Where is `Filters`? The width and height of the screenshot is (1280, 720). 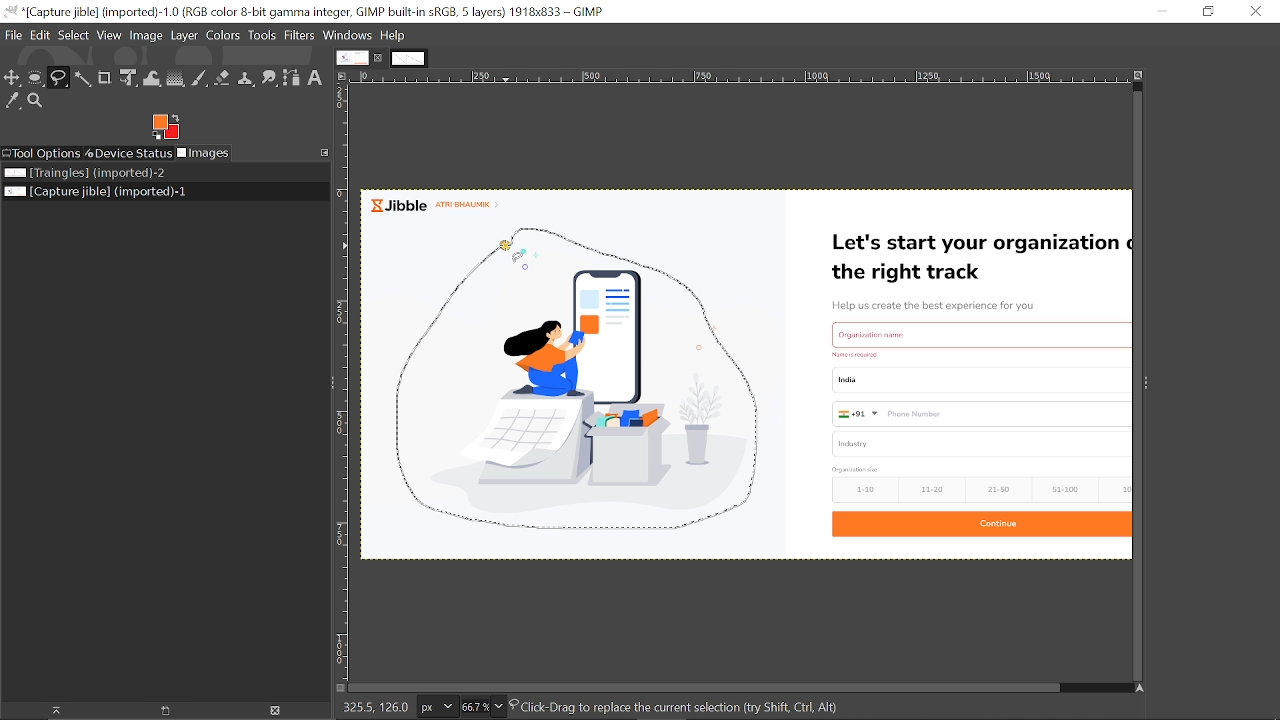 Filters is located at coordinates (301, 37).